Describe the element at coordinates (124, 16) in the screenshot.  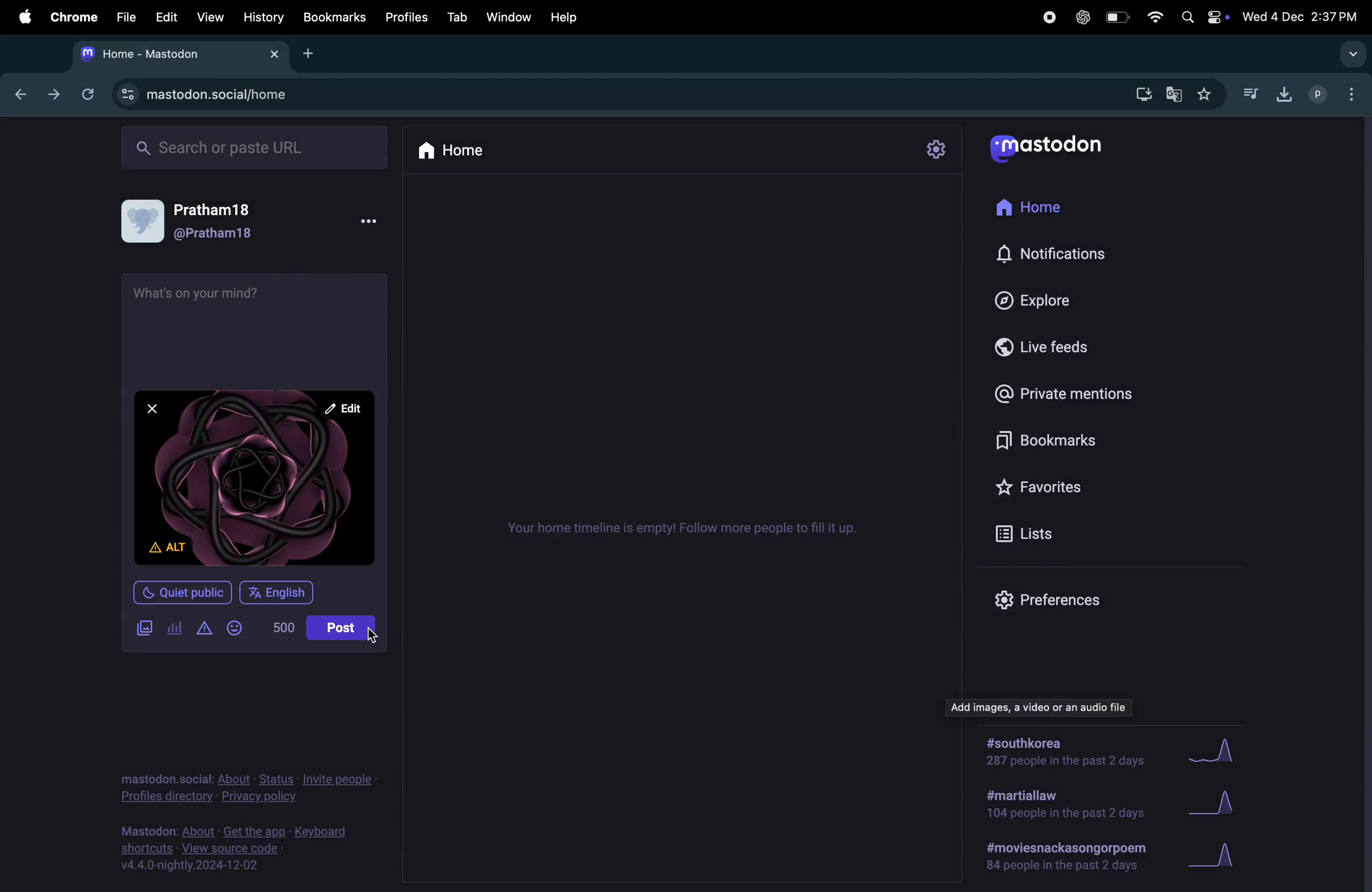
I see `Files` at that location.